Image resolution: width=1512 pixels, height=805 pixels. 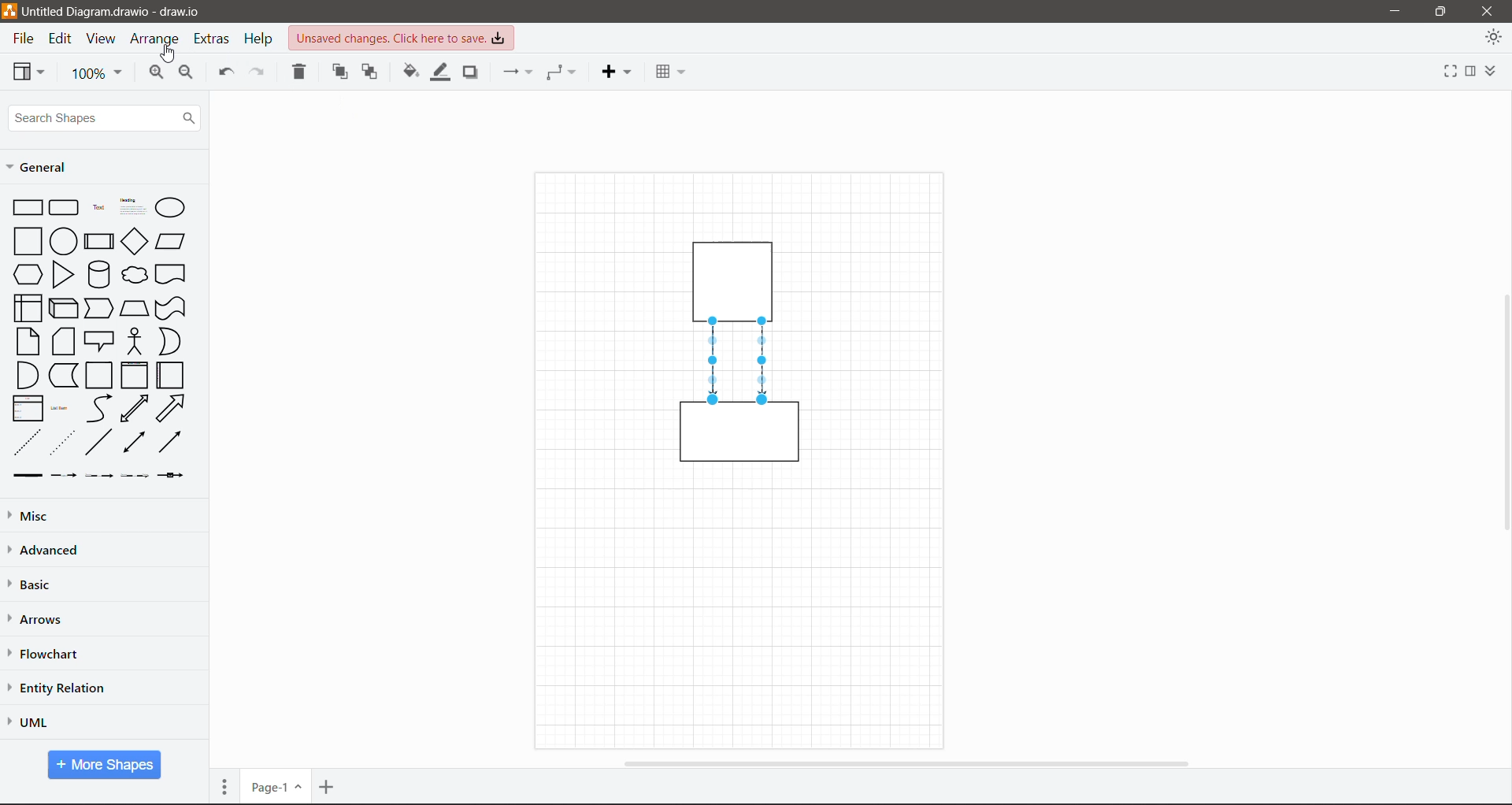 What do you see at coordinates (172, 274) in the screenshot?
I see `Document` at bounding box center [172, 274].